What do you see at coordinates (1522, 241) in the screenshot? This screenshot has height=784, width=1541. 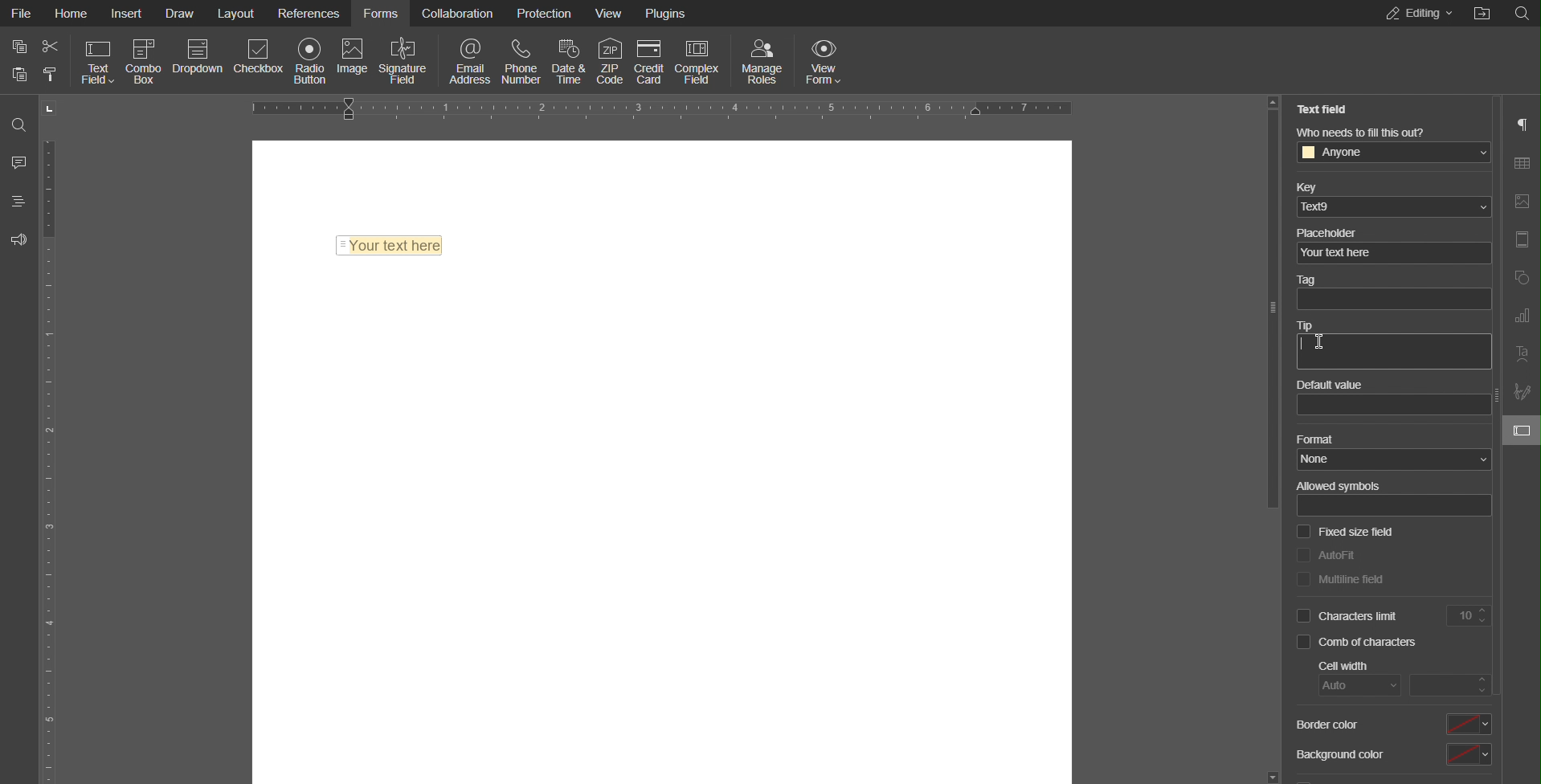 I see `Header and Footer` at bounding box center [1522, 241].